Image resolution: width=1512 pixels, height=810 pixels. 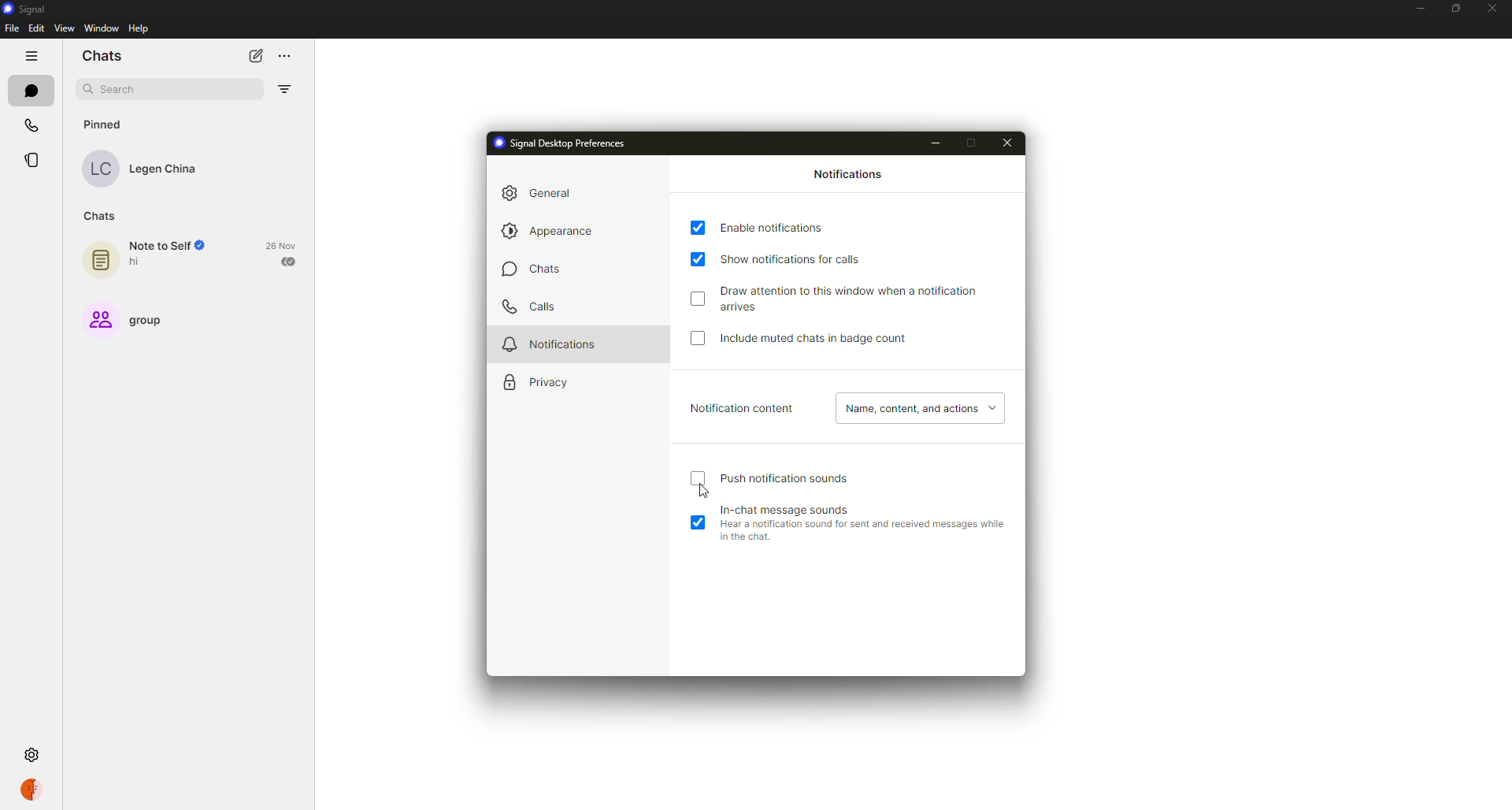 I want to click on enable notifications, so click(x=771, y=229).